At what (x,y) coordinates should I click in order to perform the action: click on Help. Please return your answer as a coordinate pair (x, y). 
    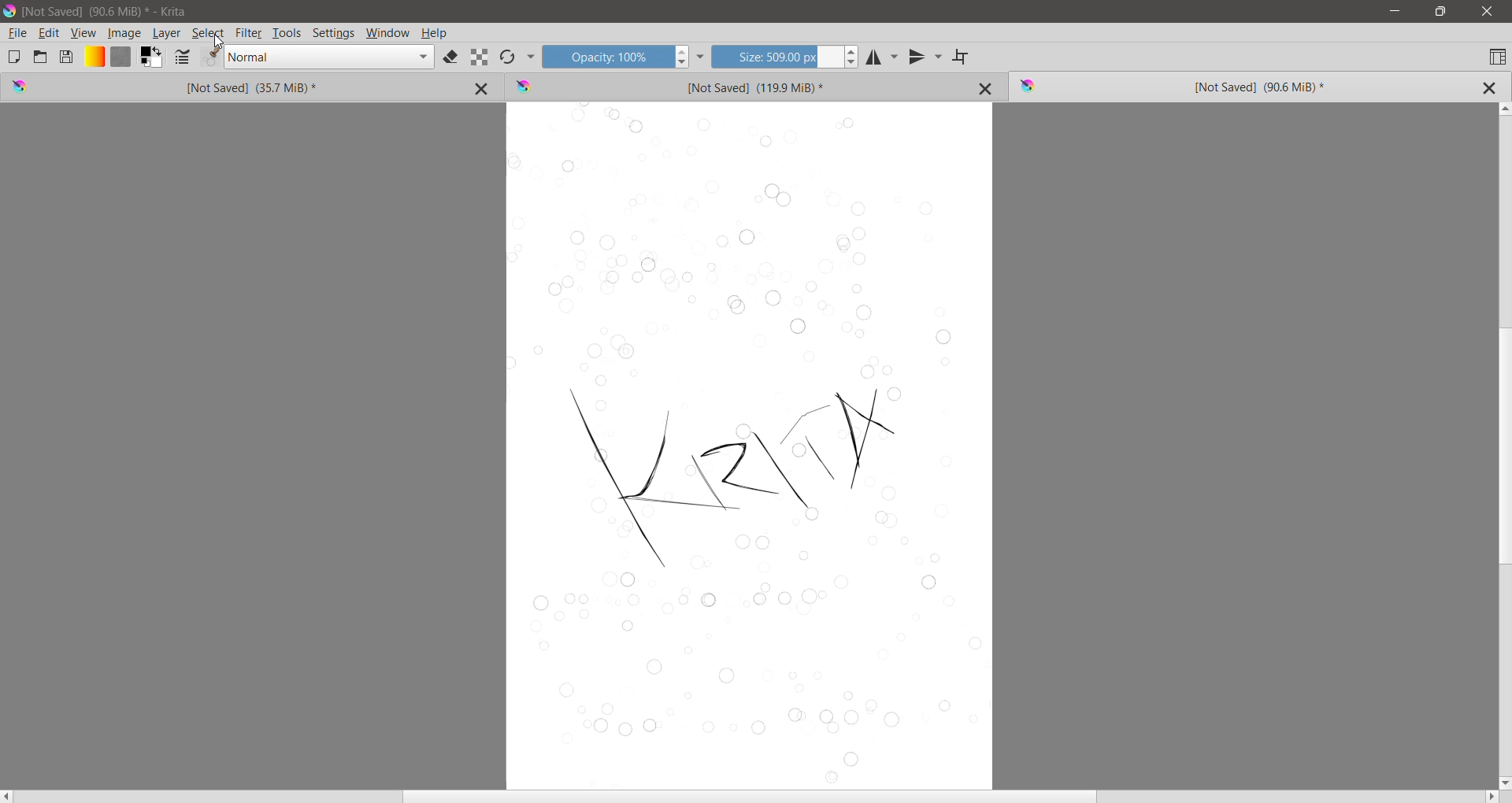
    Looking at the image, I should click on (434, 34).